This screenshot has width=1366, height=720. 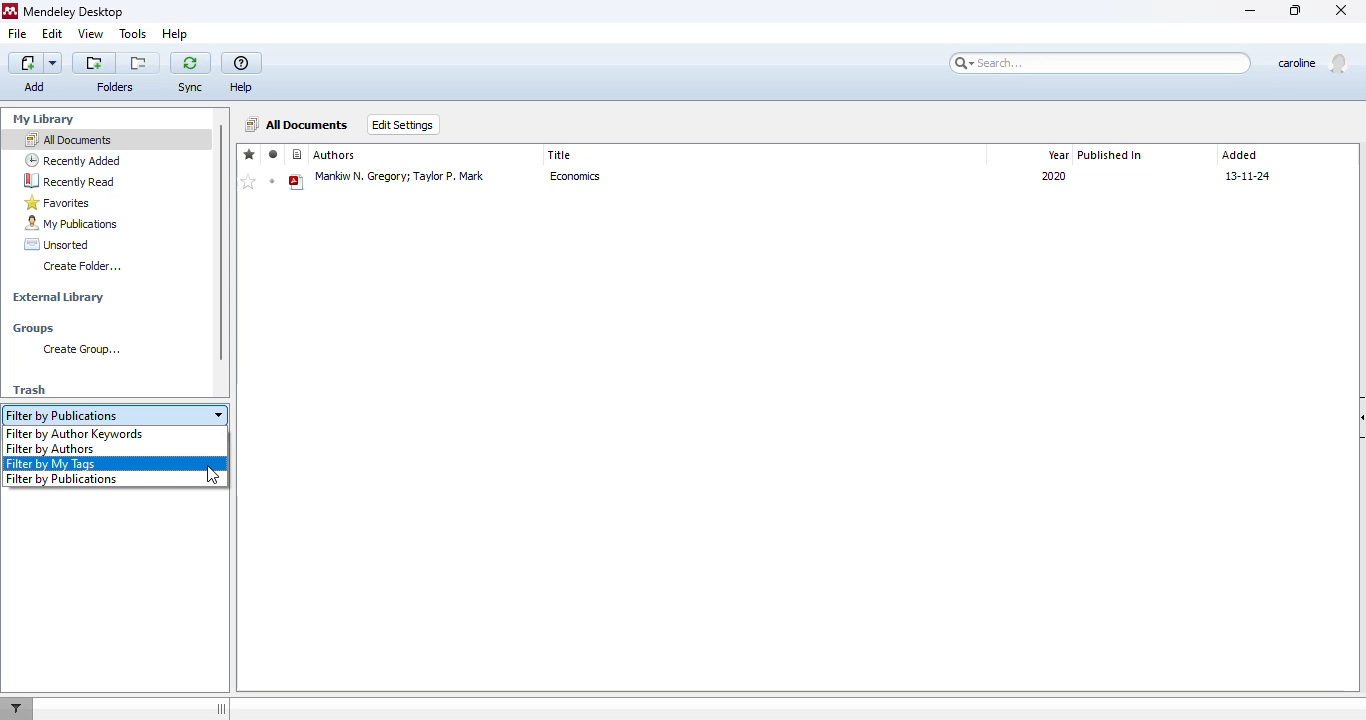 What do you see at coordinates (560, 155) in the screenshot?
I see `title` at bounding box center [560, 155].